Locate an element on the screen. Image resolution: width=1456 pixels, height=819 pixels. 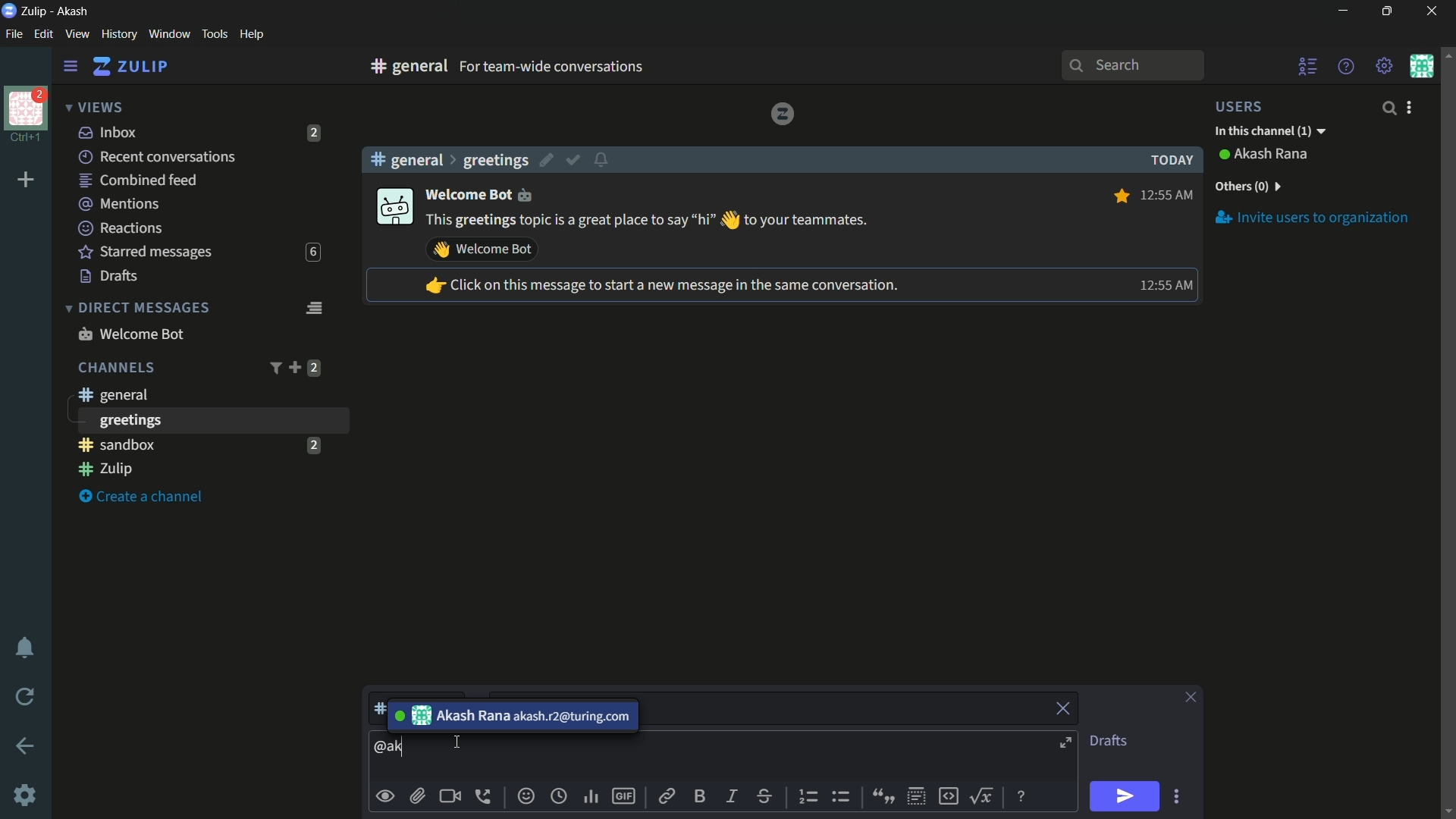
12: 55 AM is located at coordinates (1169, 193).